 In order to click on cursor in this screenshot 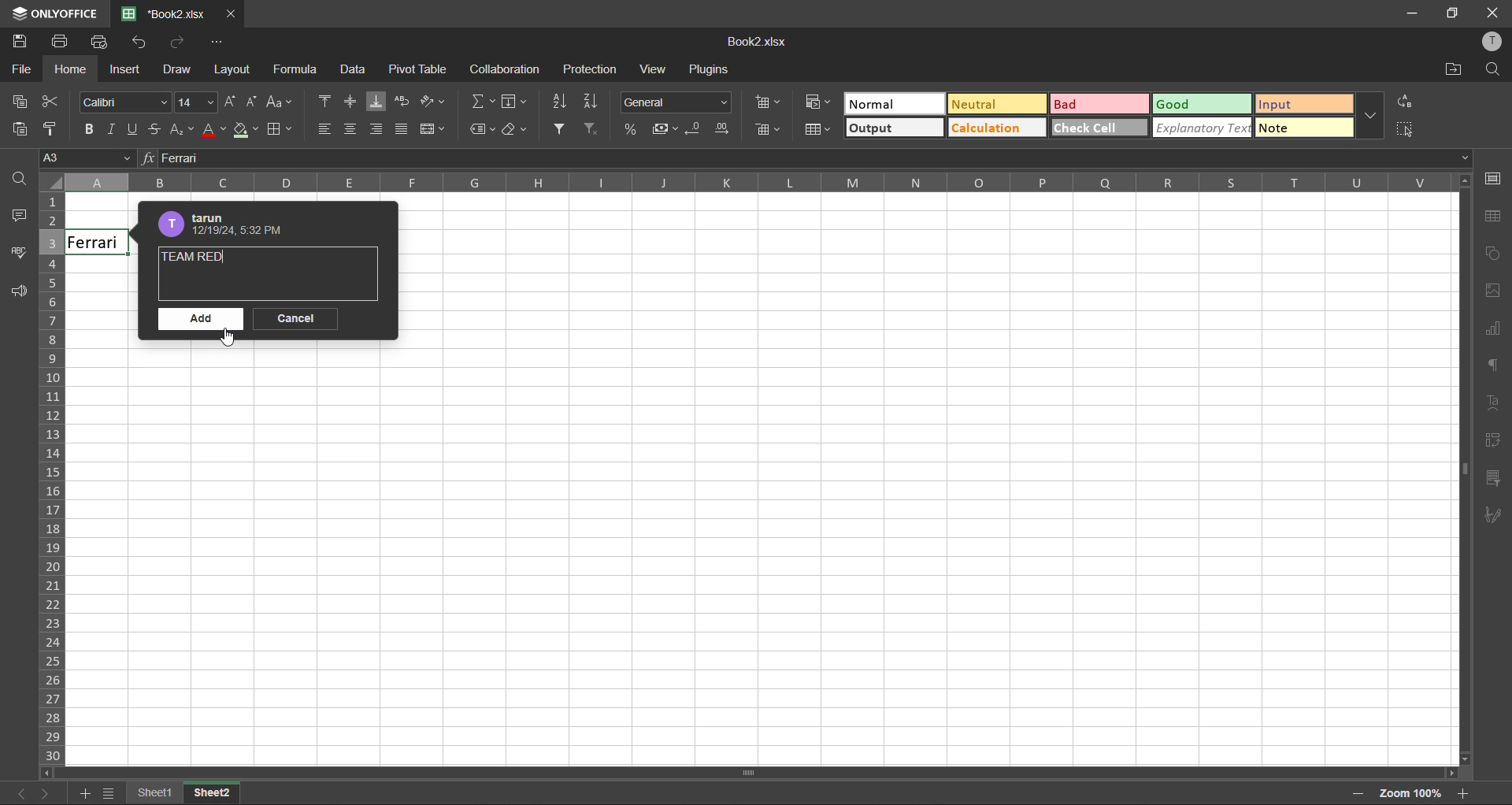, I will do `click(229, 341)`.